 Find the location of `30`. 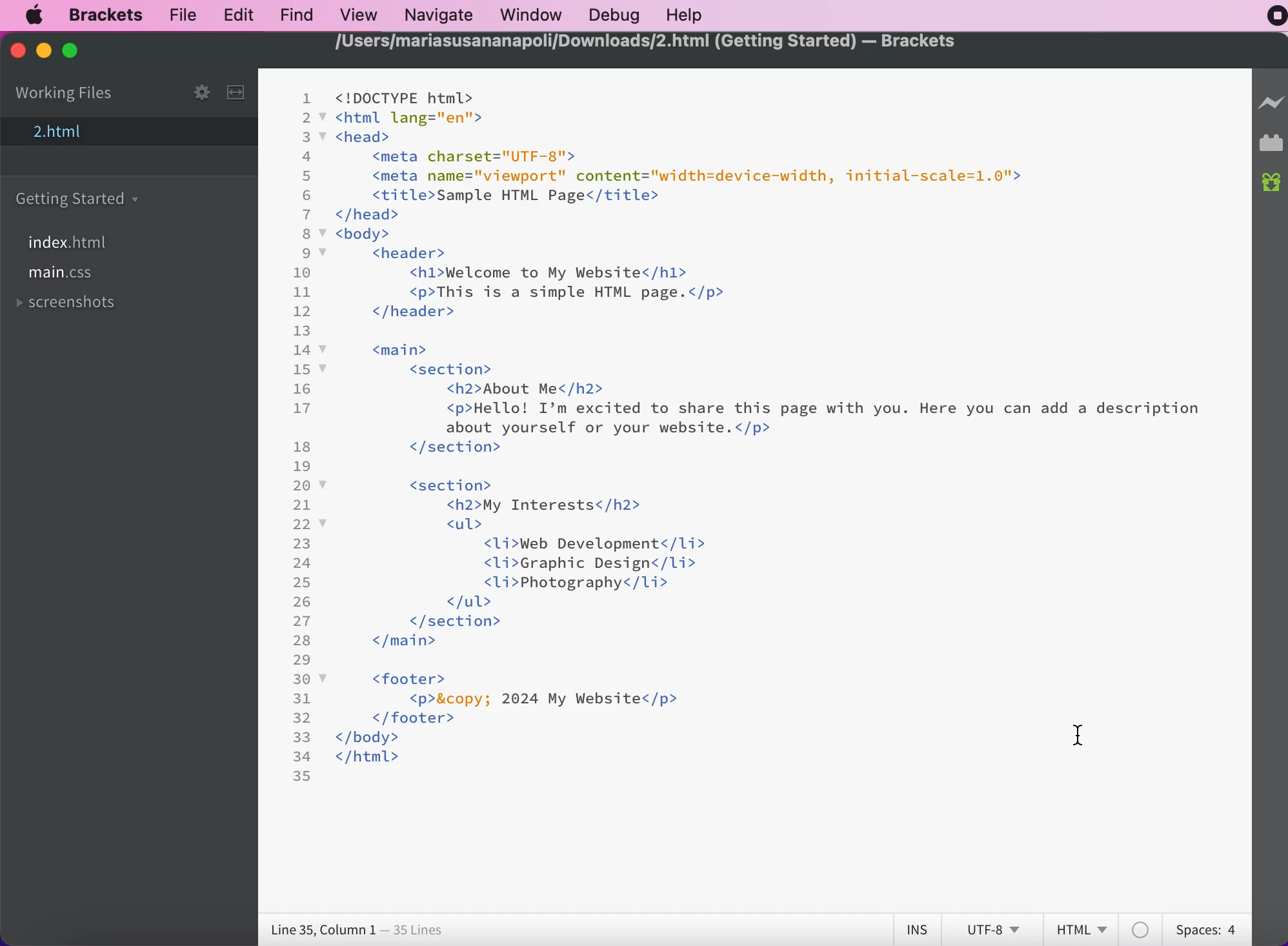

30 is located at coordinates (302, 679).